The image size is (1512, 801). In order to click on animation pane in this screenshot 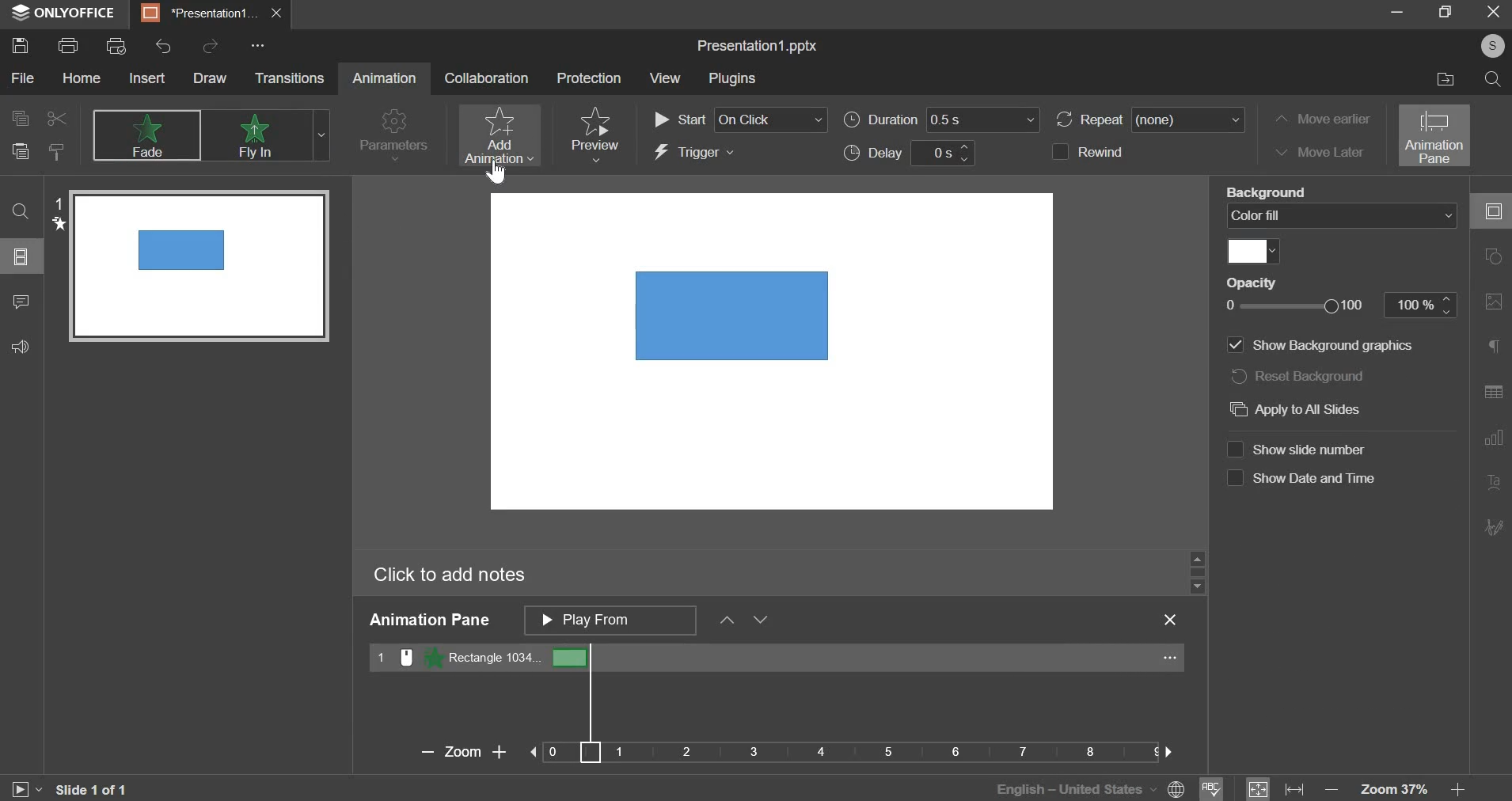, I will do `click(1433, 135)`.